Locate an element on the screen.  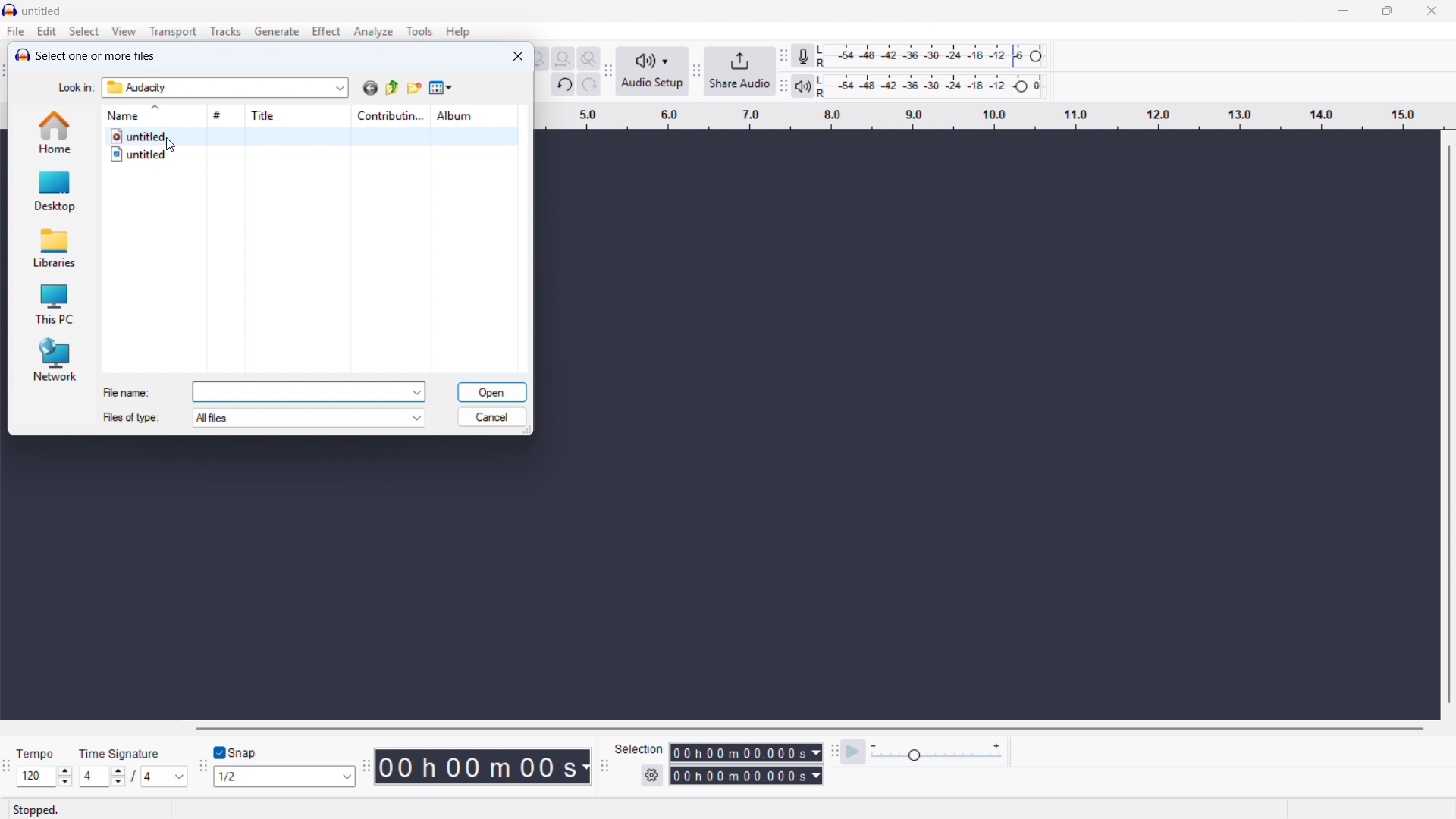
Recording metre toolbar  is located at coordinates (784, 56).